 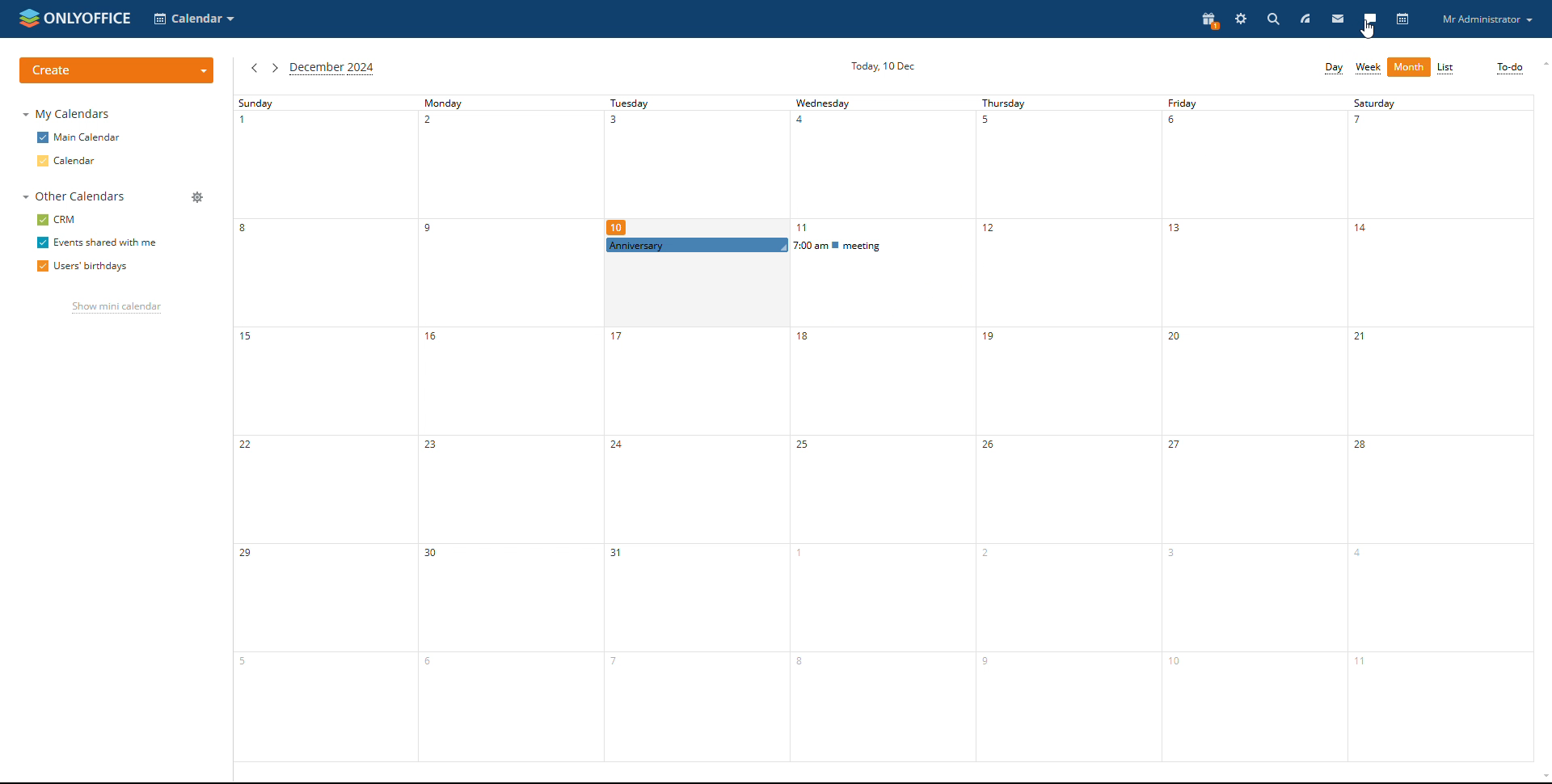 I want to click on current date, so click(x=882, y=67).